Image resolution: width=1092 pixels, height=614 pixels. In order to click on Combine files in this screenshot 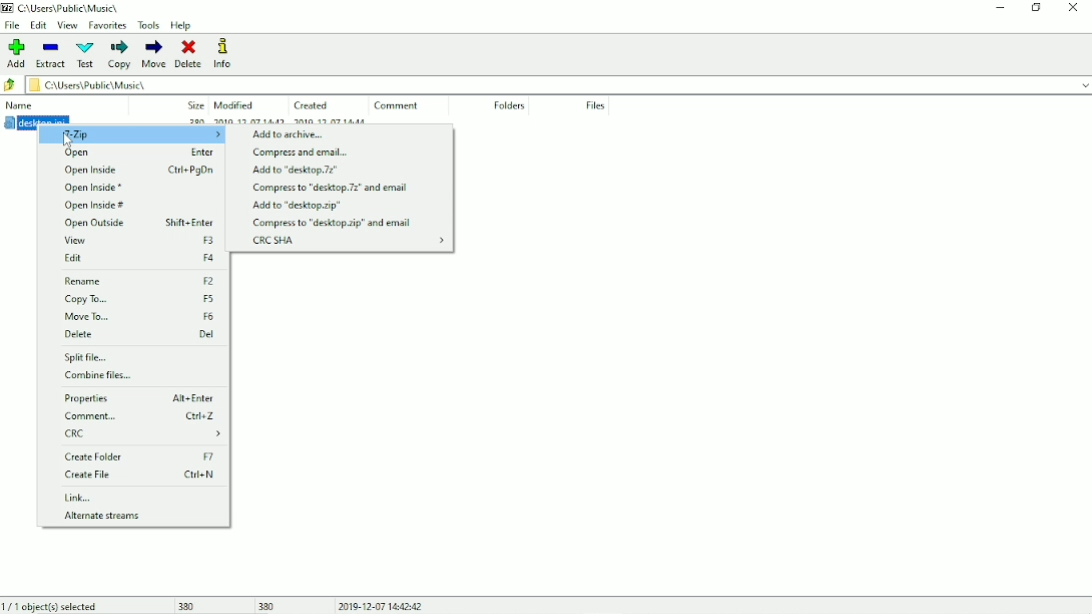, I will do `click(99, 375)`.